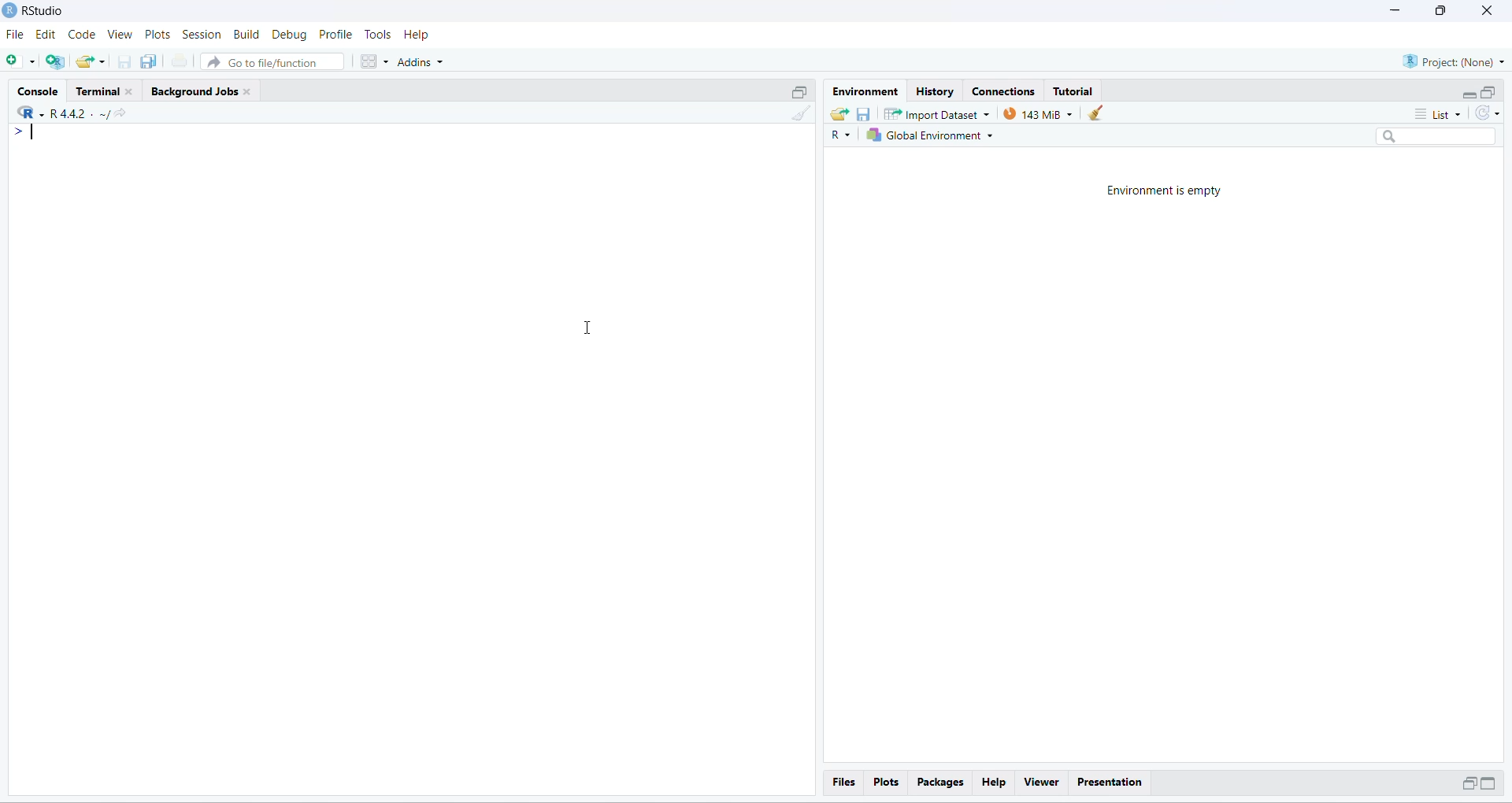 The width and height of the screenshot is (1512, 803). I want to click on open in separate window, so click(801, 92).